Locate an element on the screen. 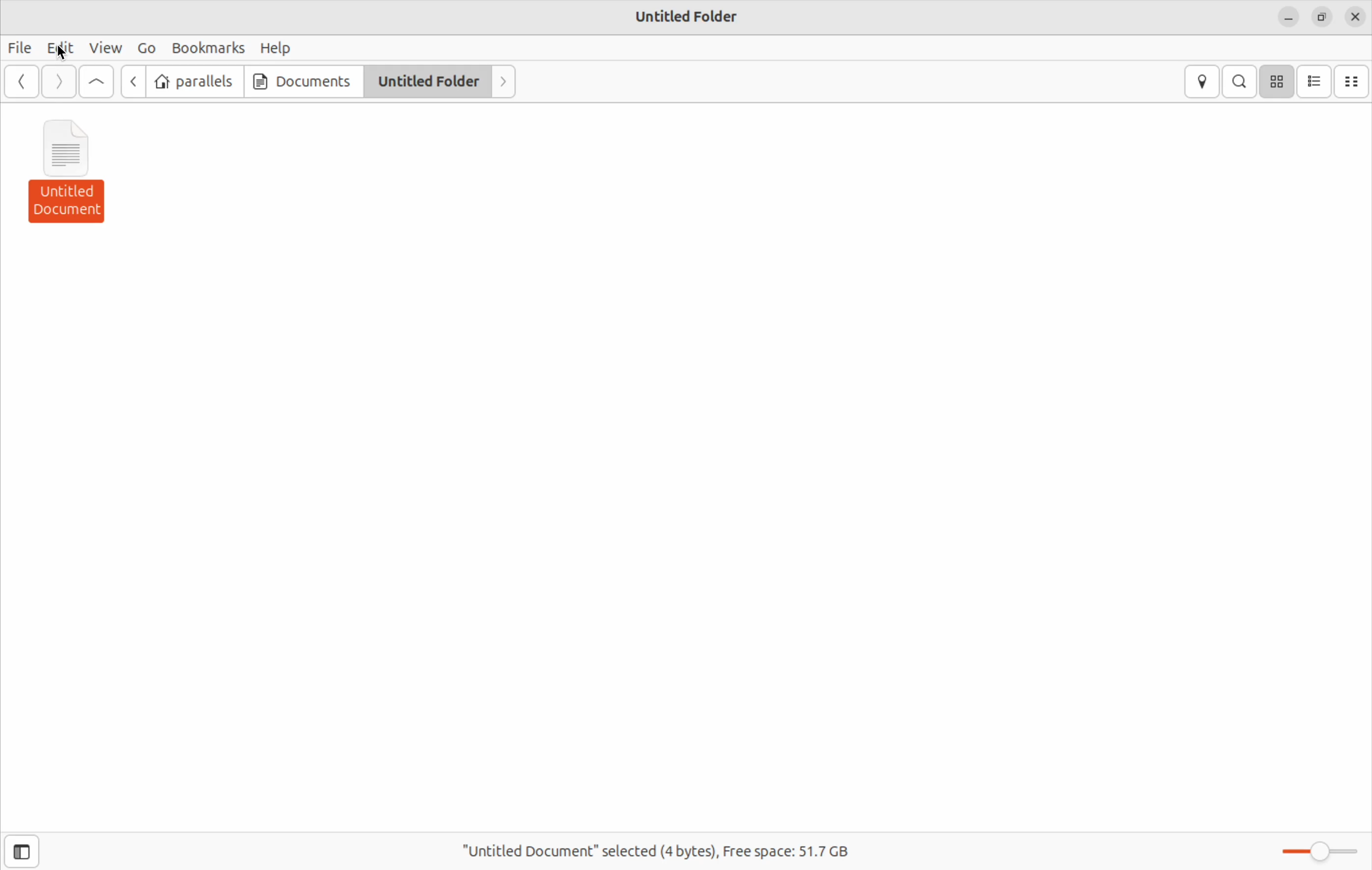 The width and height of the screenshot is (1372, 870). Edit is located at coordinates (62, 47).